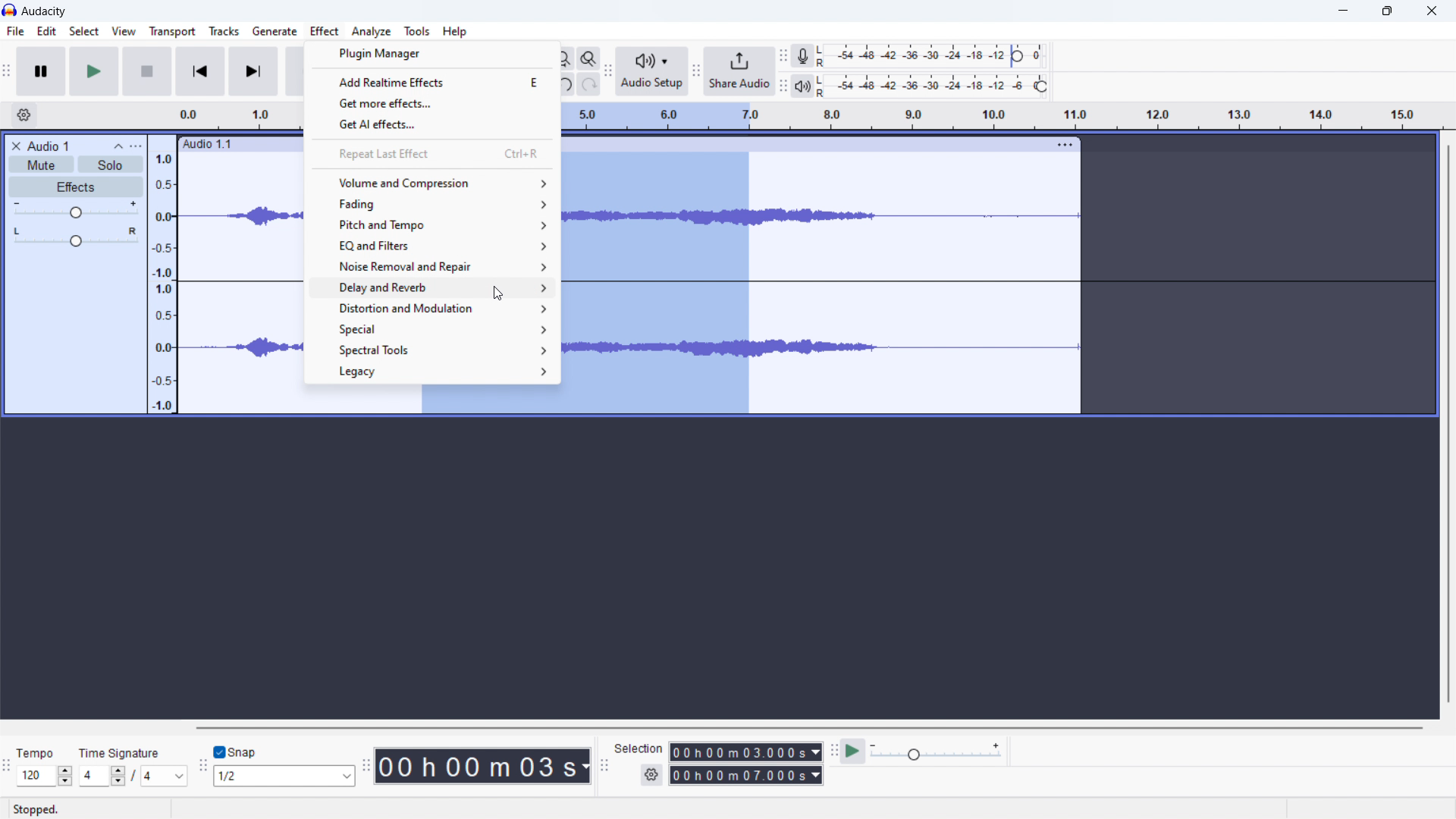 This screenshot has width=1456, height=819. Describe the element at coordinates (431, 288) in the screenshot. I see `delay and reverb` at that location.